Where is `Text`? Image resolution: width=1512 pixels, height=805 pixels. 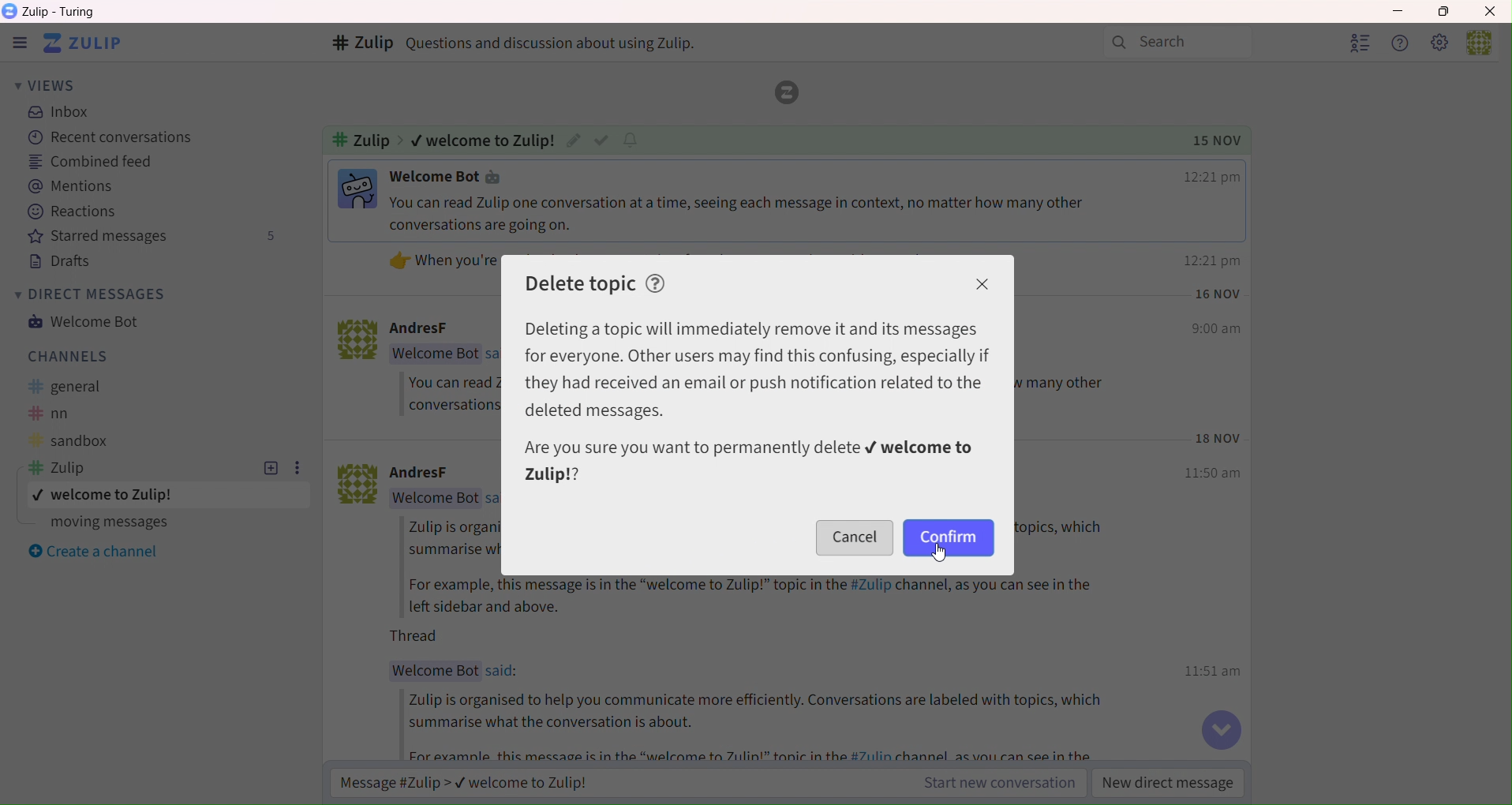 Text is located at coordinates (767, 713).